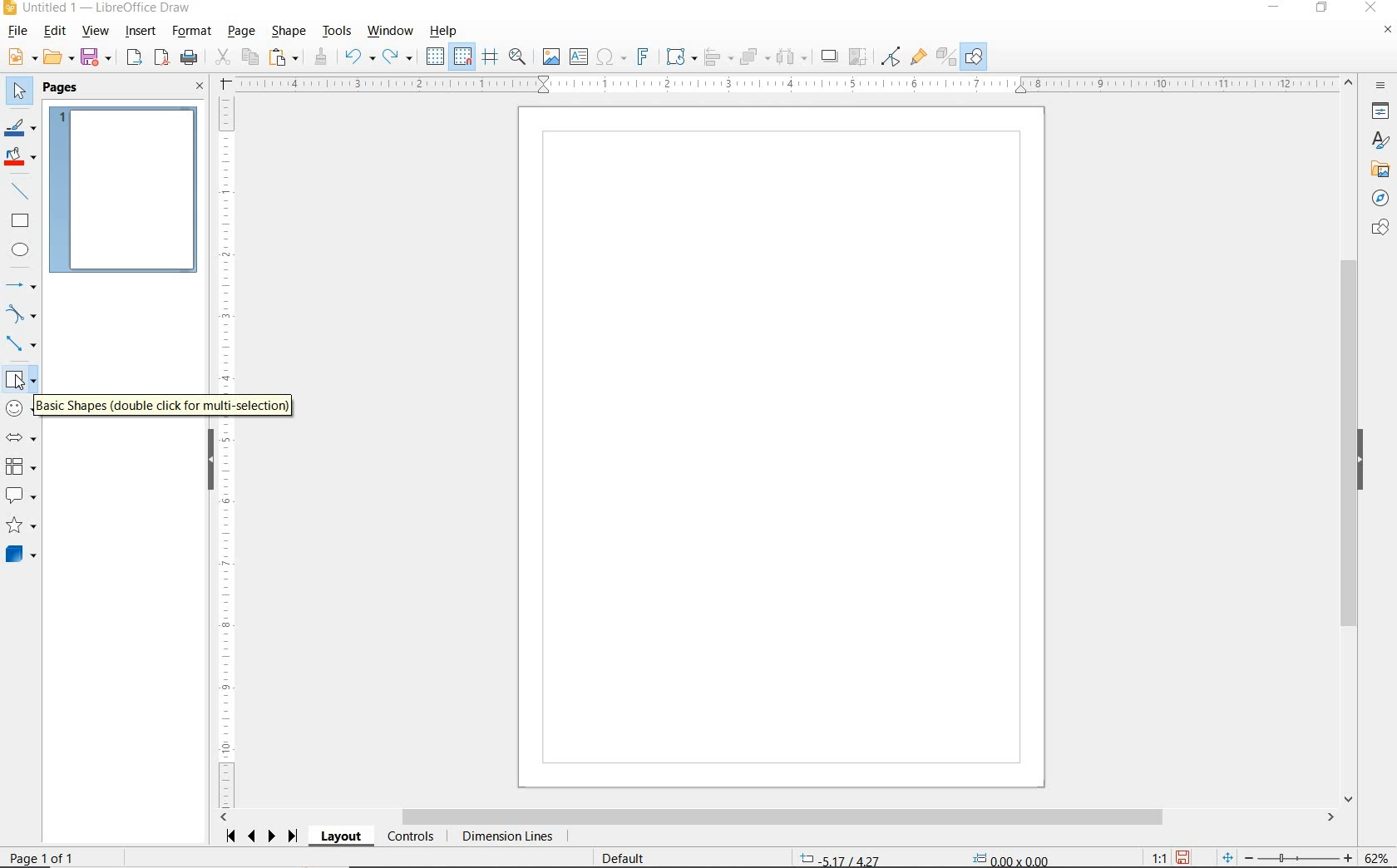  Describe the element at coordinates (1360, 461) in the screenshot. I see `HIDE` at that location.